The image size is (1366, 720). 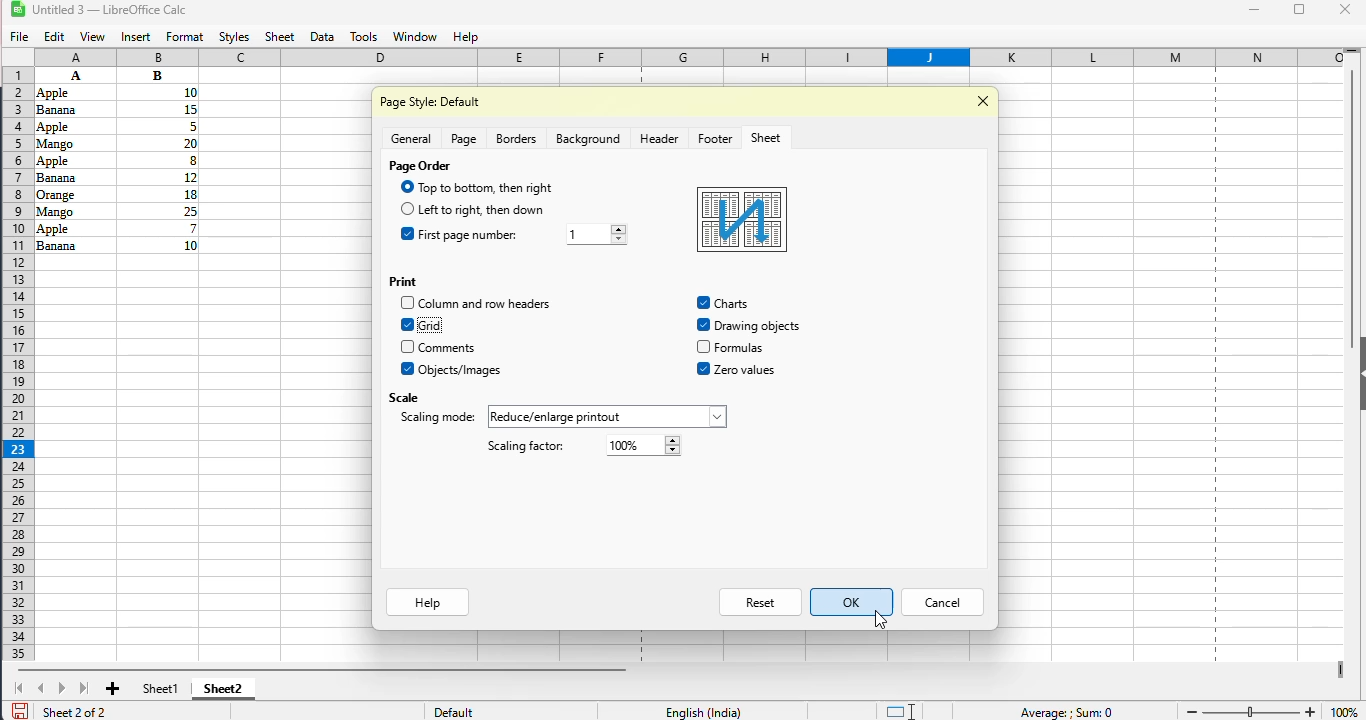 I want to click on reset, so click(x=762, y=602).